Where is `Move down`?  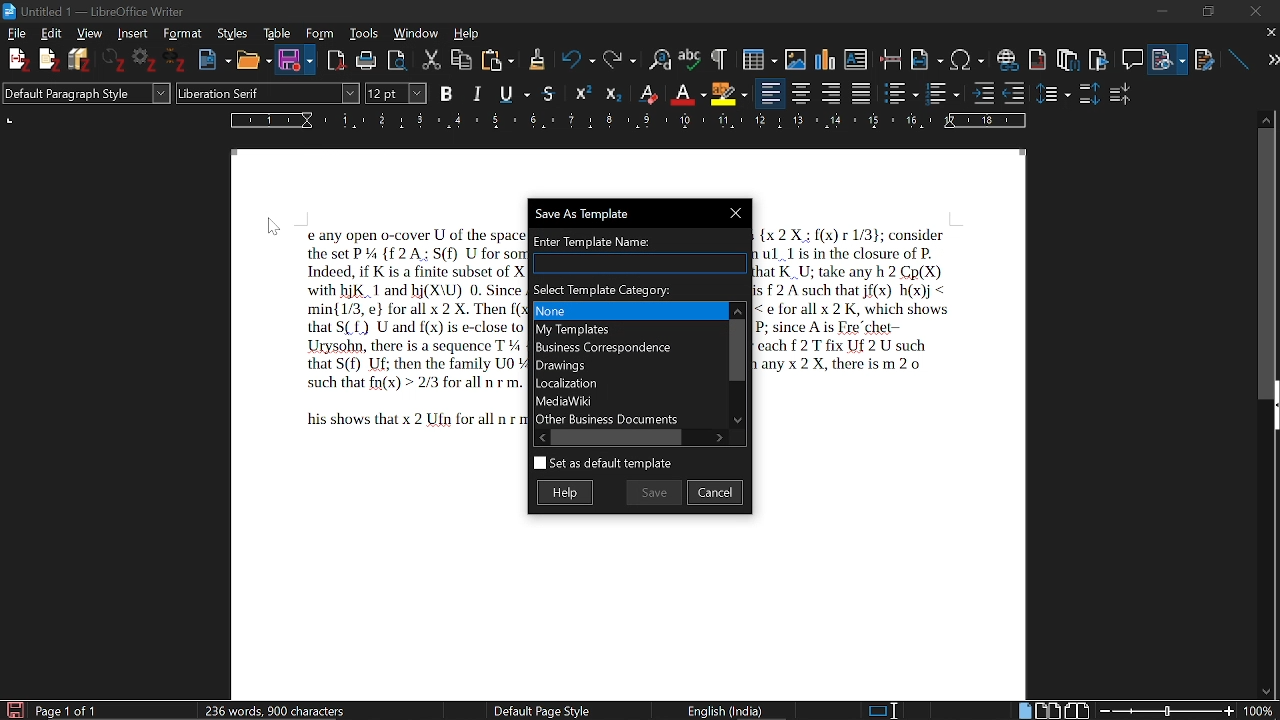
Move down is located at coordinates (740, 421).